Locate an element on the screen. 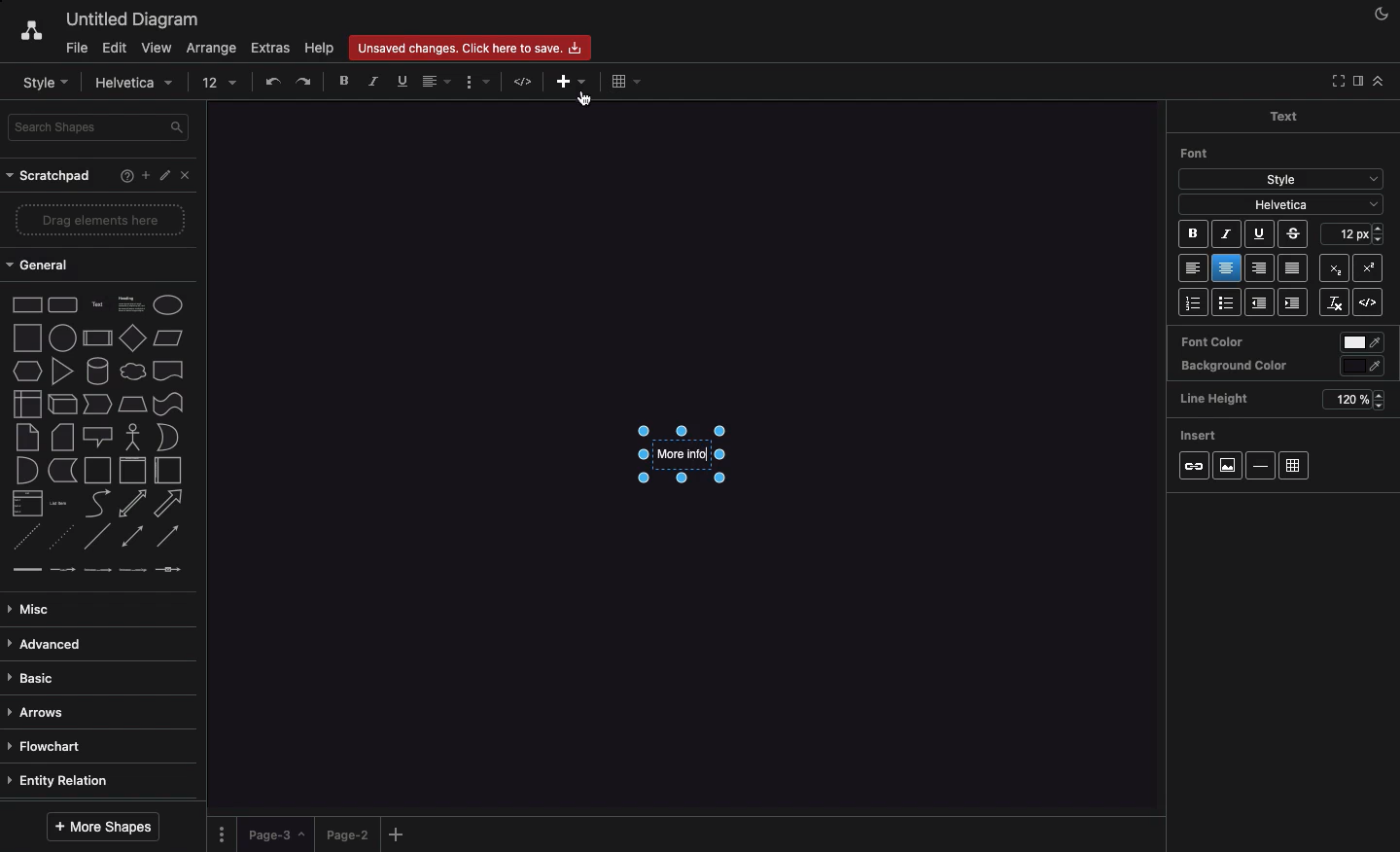 Image resolution: width=1400 pixels, height=852 pixels. rounded rectangle is located at coordinates (63, 303).